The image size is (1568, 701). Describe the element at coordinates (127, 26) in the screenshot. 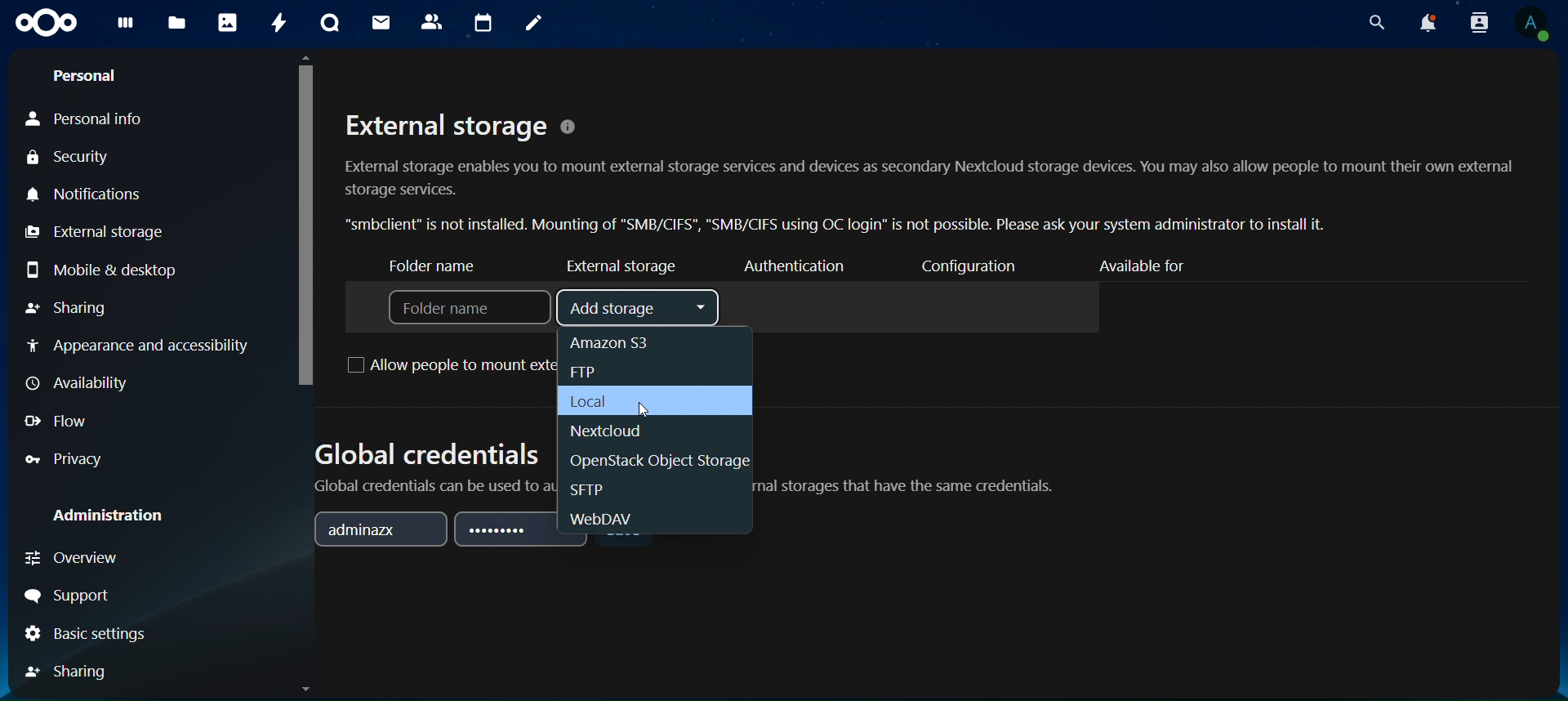

I see `dashboard` at that location.